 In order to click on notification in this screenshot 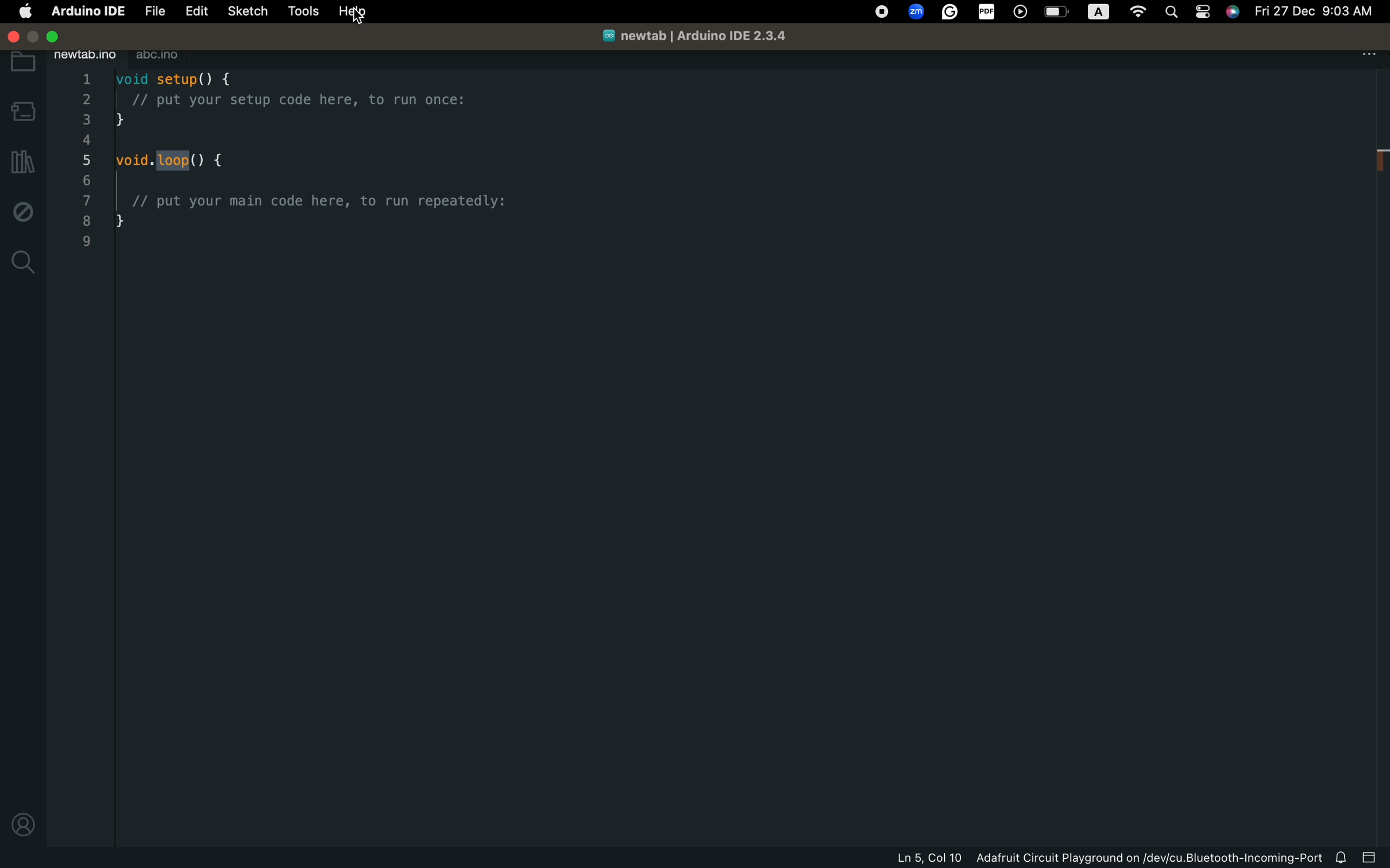, I will do `click(1342, 858)`.